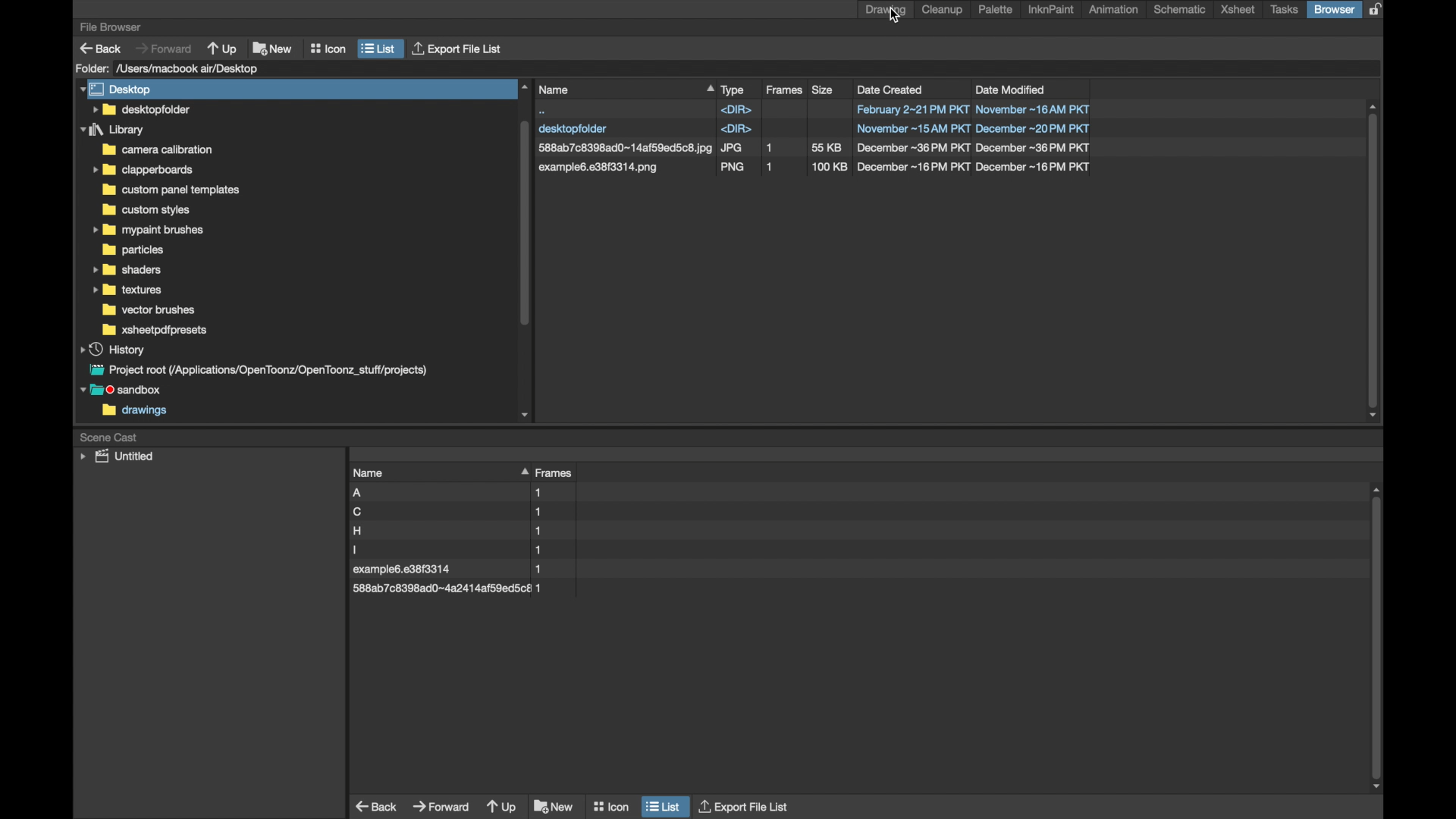  What do you see at coordinates (815, 148) in the screenshot?
I see `file` at bounding box center [815, 148].